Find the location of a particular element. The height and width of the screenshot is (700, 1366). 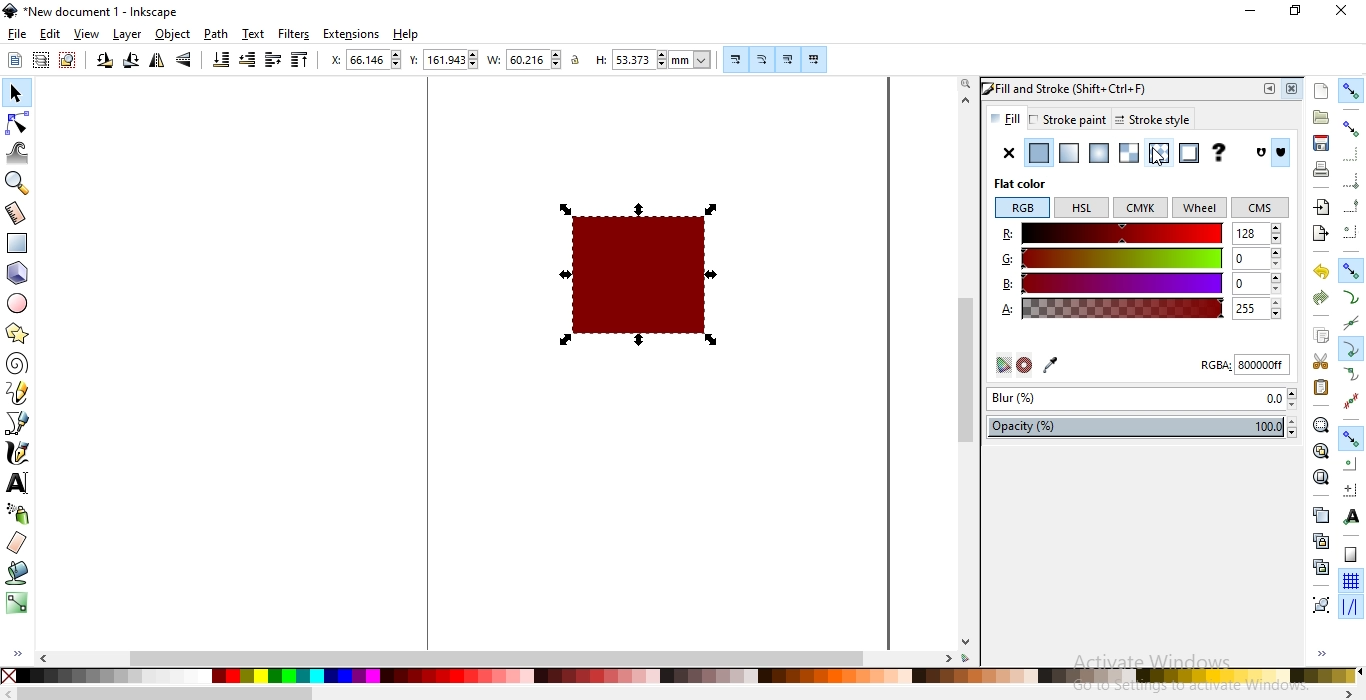

save document is located at coordinates (1322, 144).